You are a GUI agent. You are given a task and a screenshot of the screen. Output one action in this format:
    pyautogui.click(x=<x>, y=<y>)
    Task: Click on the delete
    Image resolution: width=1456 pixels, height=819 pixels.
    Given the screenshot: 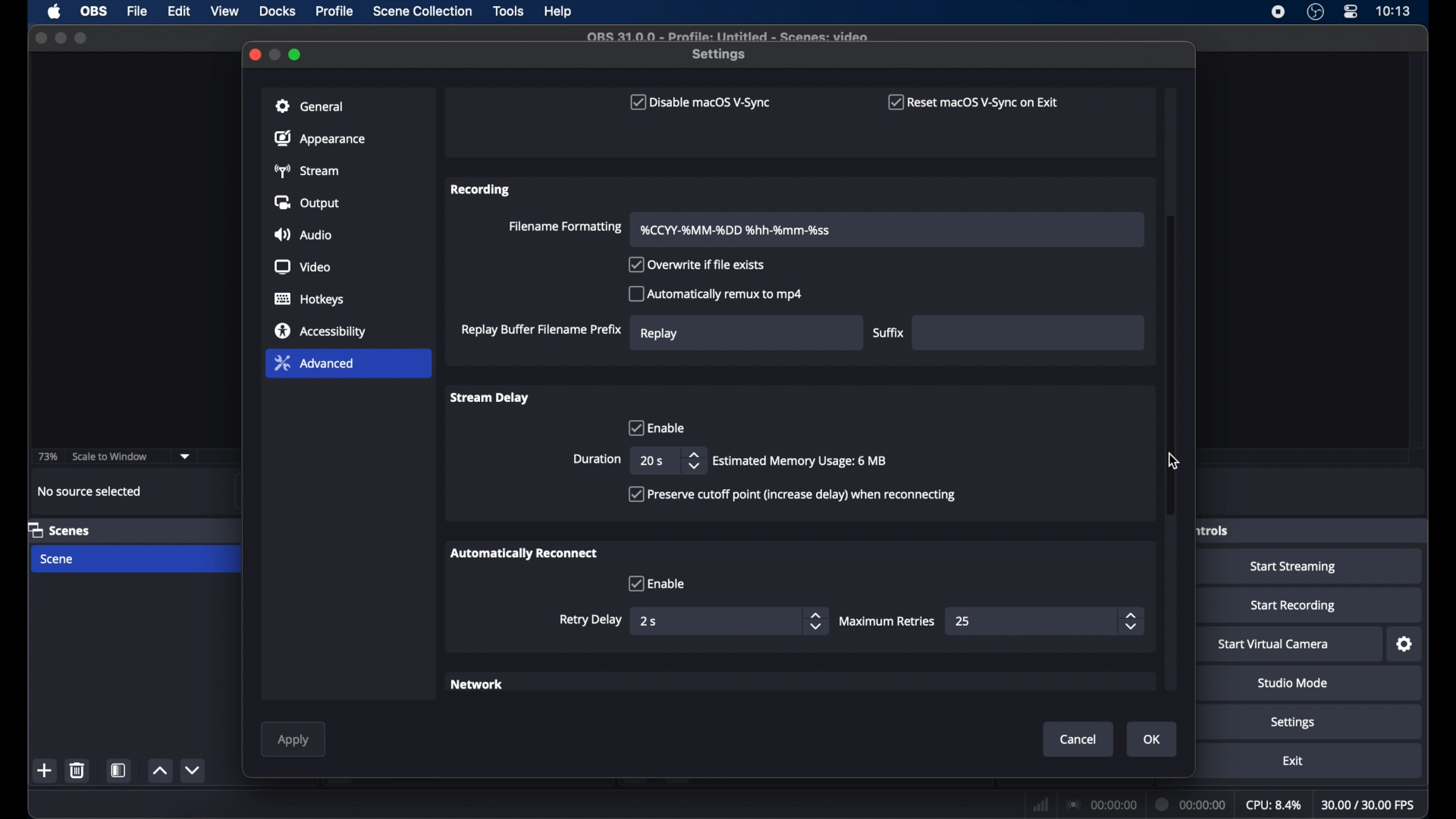 What is the action you would take?
    pyautogui.click(x=77, y=770)
    